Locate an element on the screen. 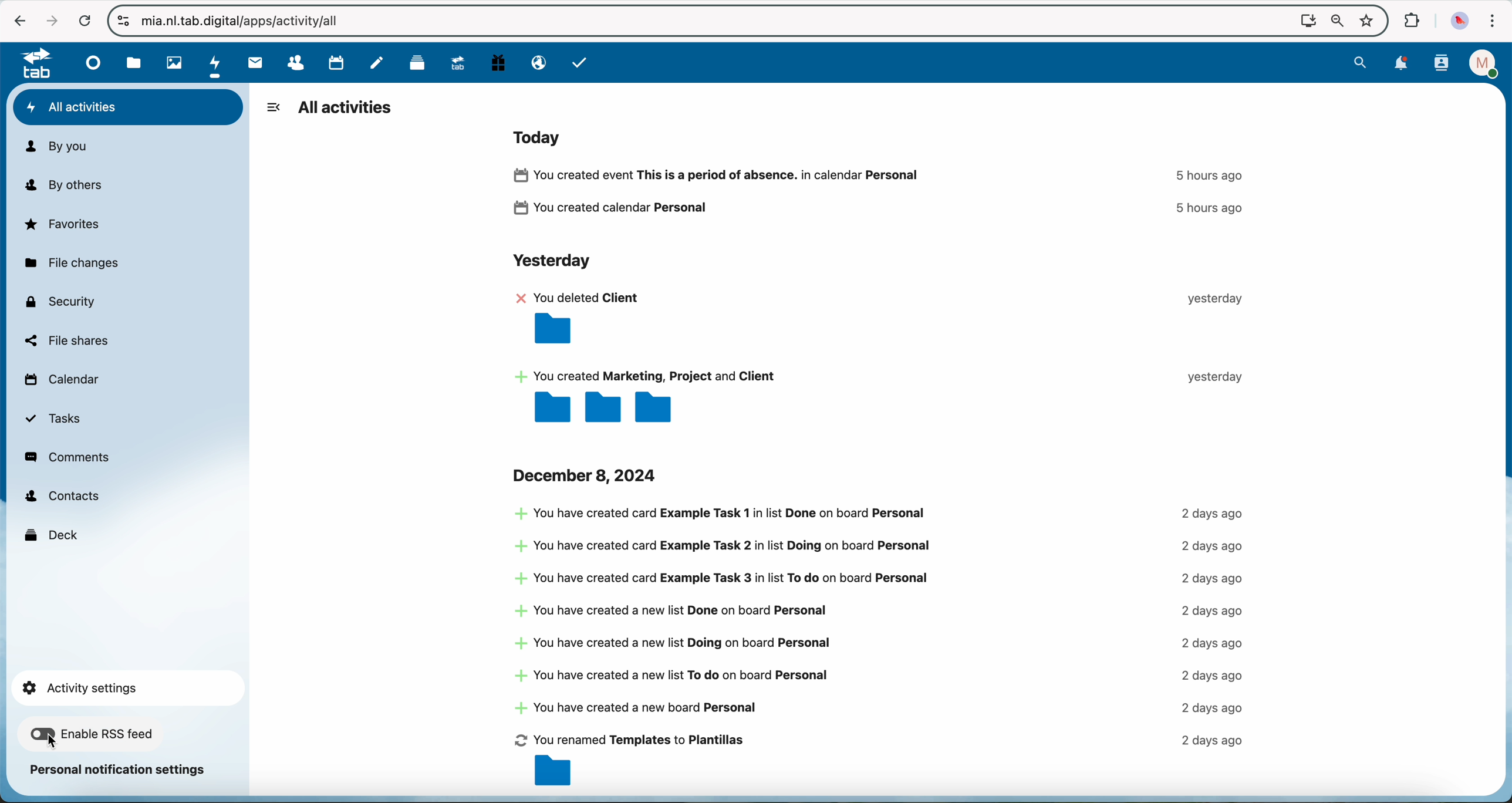 Image resolution: width=1512 pixels, height=803 pixels. cancel is located at coordinates (85, 22).